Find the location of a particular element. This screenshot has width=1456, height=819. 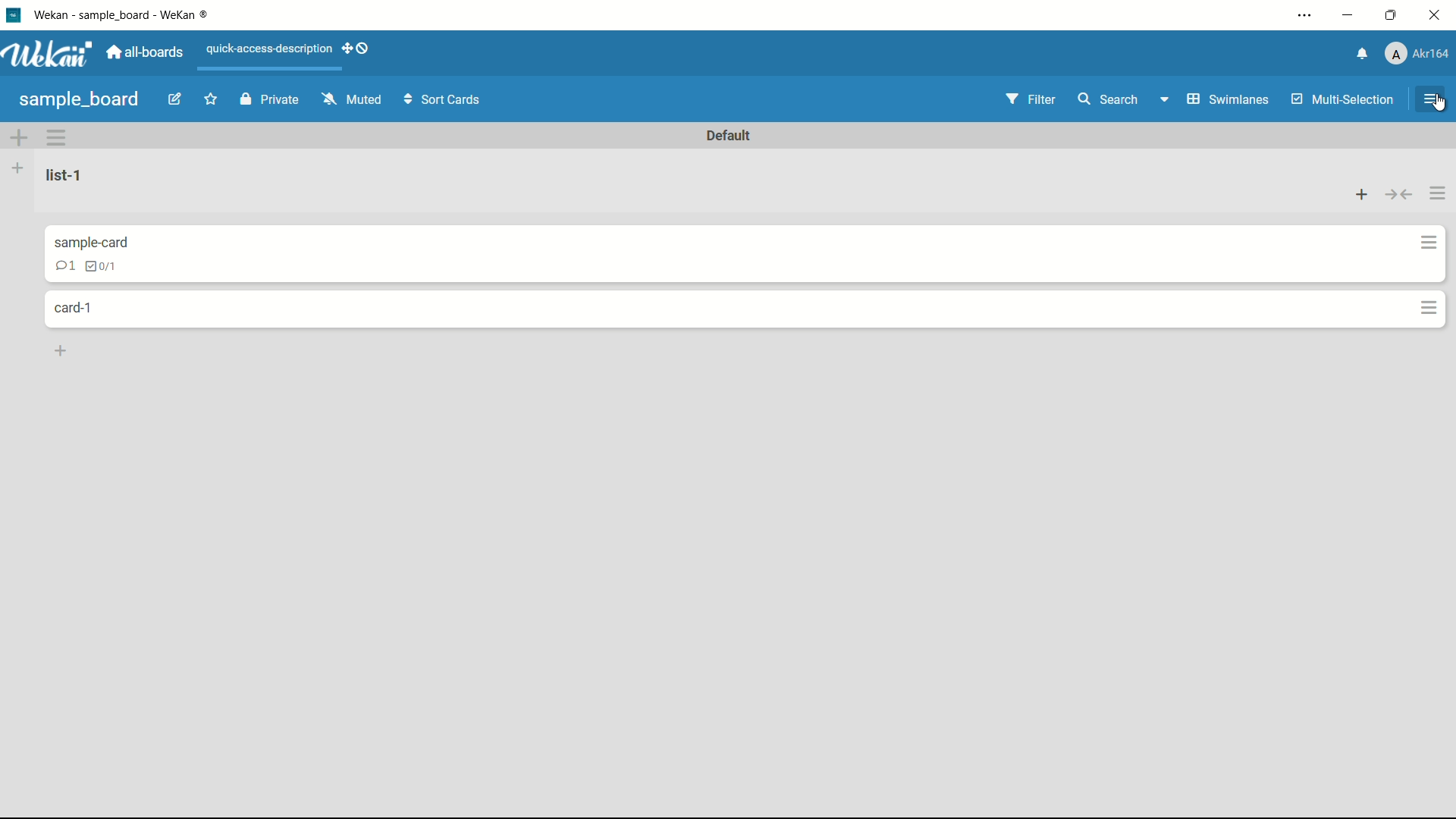

close app is located at coordinates (1437, 15).